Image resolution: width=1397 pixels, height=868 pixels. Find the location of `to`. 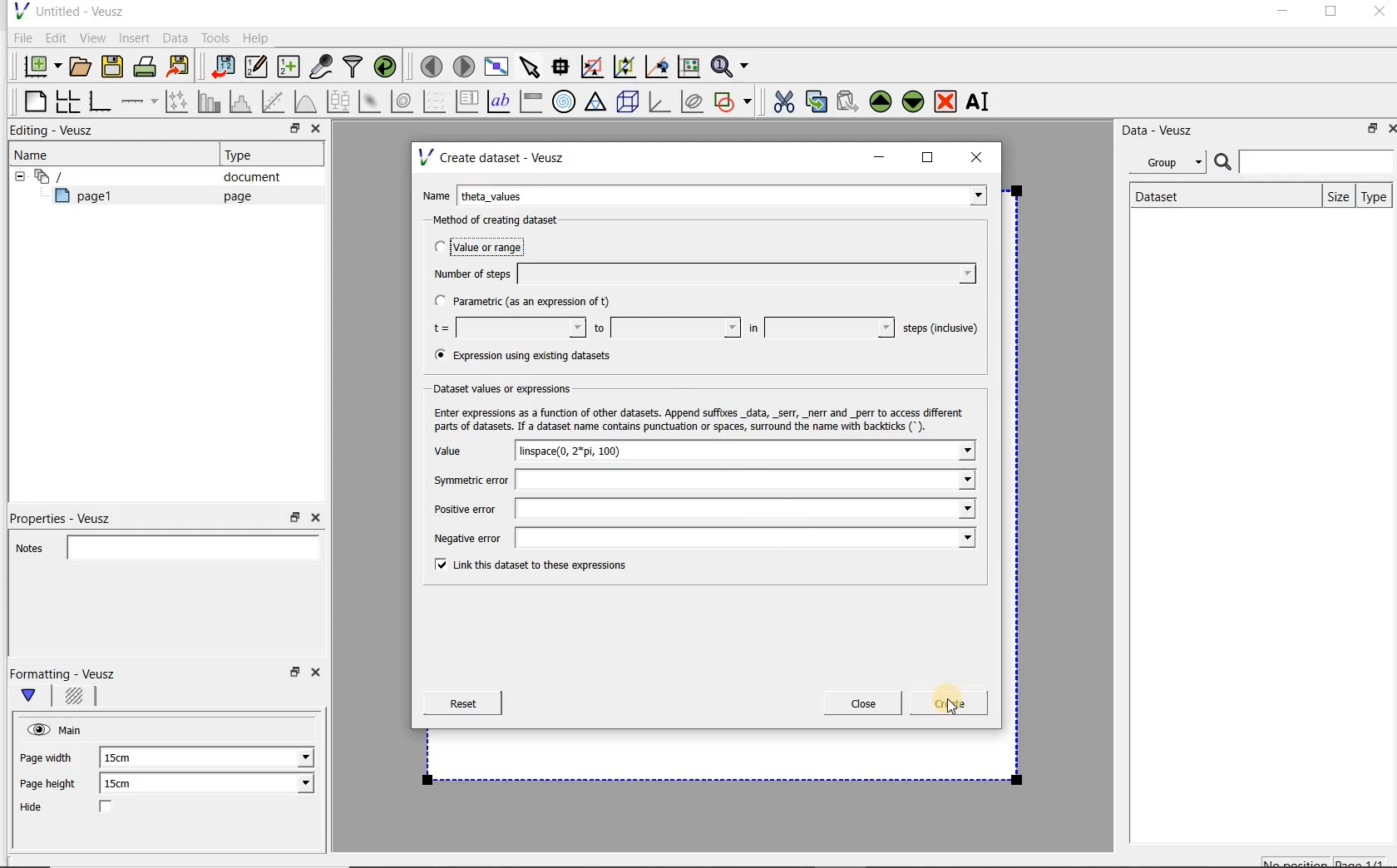

to is located at coordinates (665, 328).